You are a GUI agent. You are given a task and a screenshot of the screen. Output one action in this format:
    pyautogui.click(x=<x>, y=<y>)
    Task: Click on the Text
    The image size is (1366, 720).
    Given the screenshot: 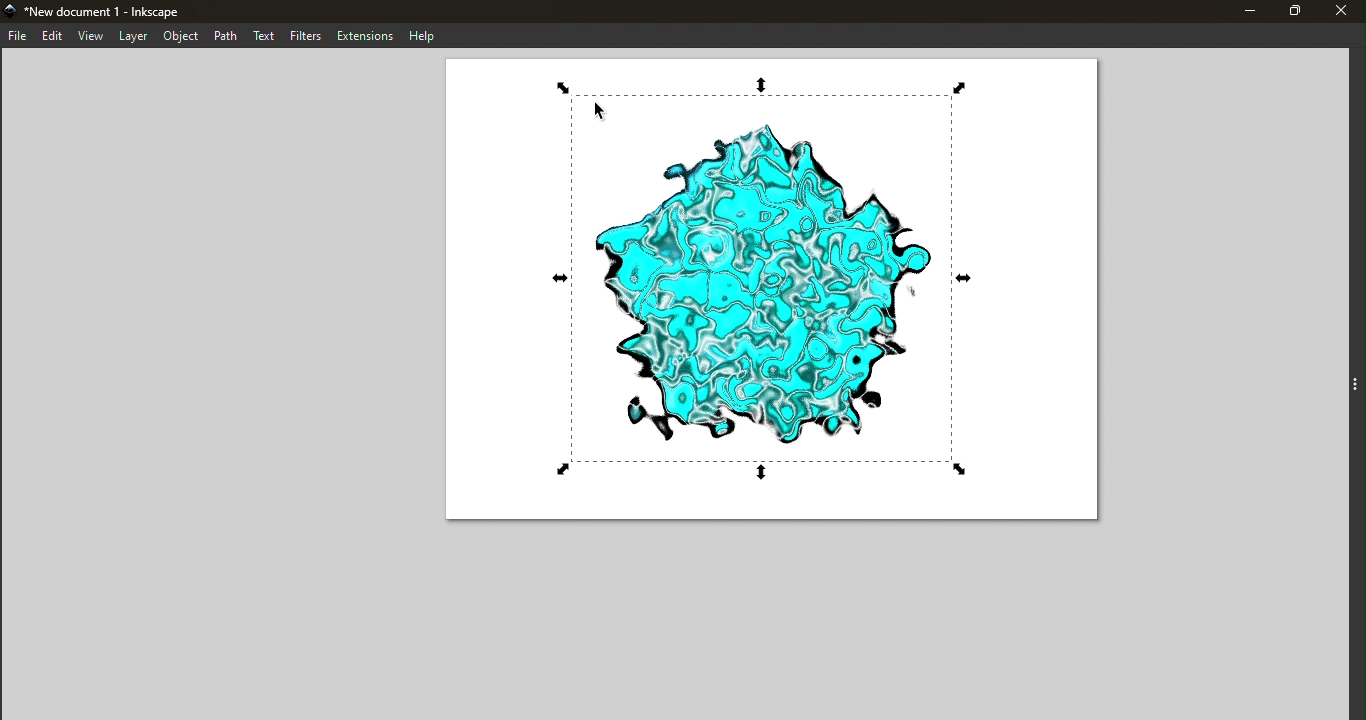 What is the action you would take?
    pyautogui.click(x=265, y=37)
    